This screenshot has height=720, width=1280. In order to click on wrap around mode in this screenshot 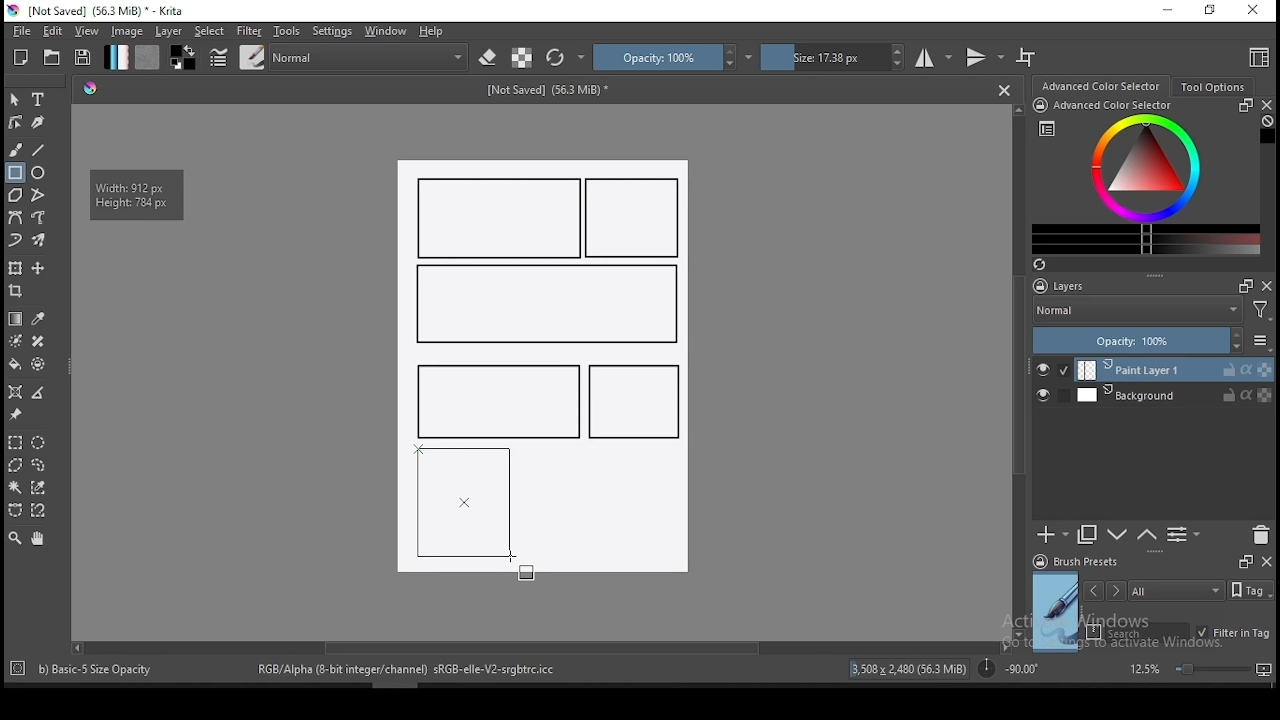, I will do `click(1027, 57)`.